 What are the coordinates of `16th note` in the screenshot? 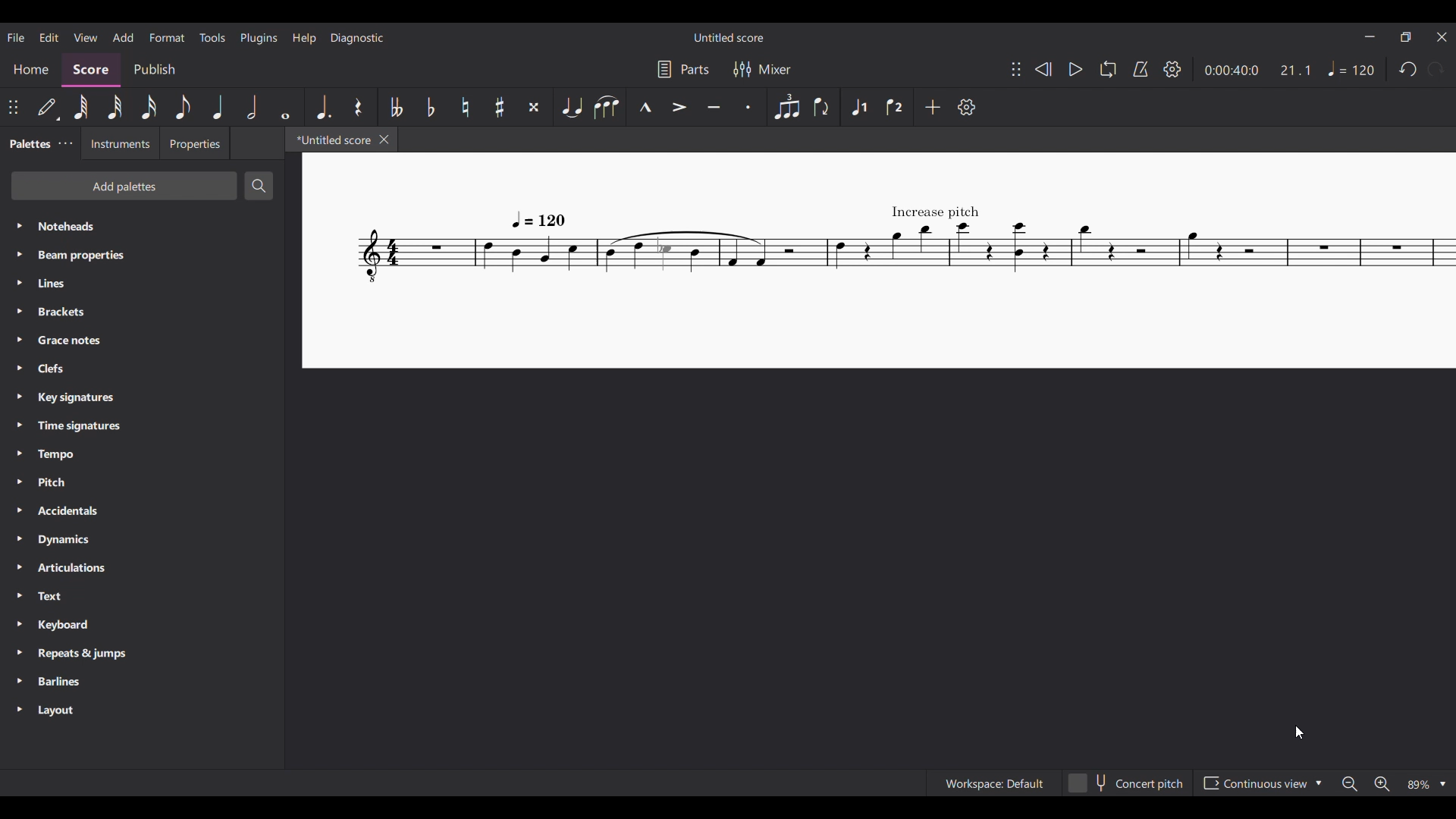 It's located at (149, 107).